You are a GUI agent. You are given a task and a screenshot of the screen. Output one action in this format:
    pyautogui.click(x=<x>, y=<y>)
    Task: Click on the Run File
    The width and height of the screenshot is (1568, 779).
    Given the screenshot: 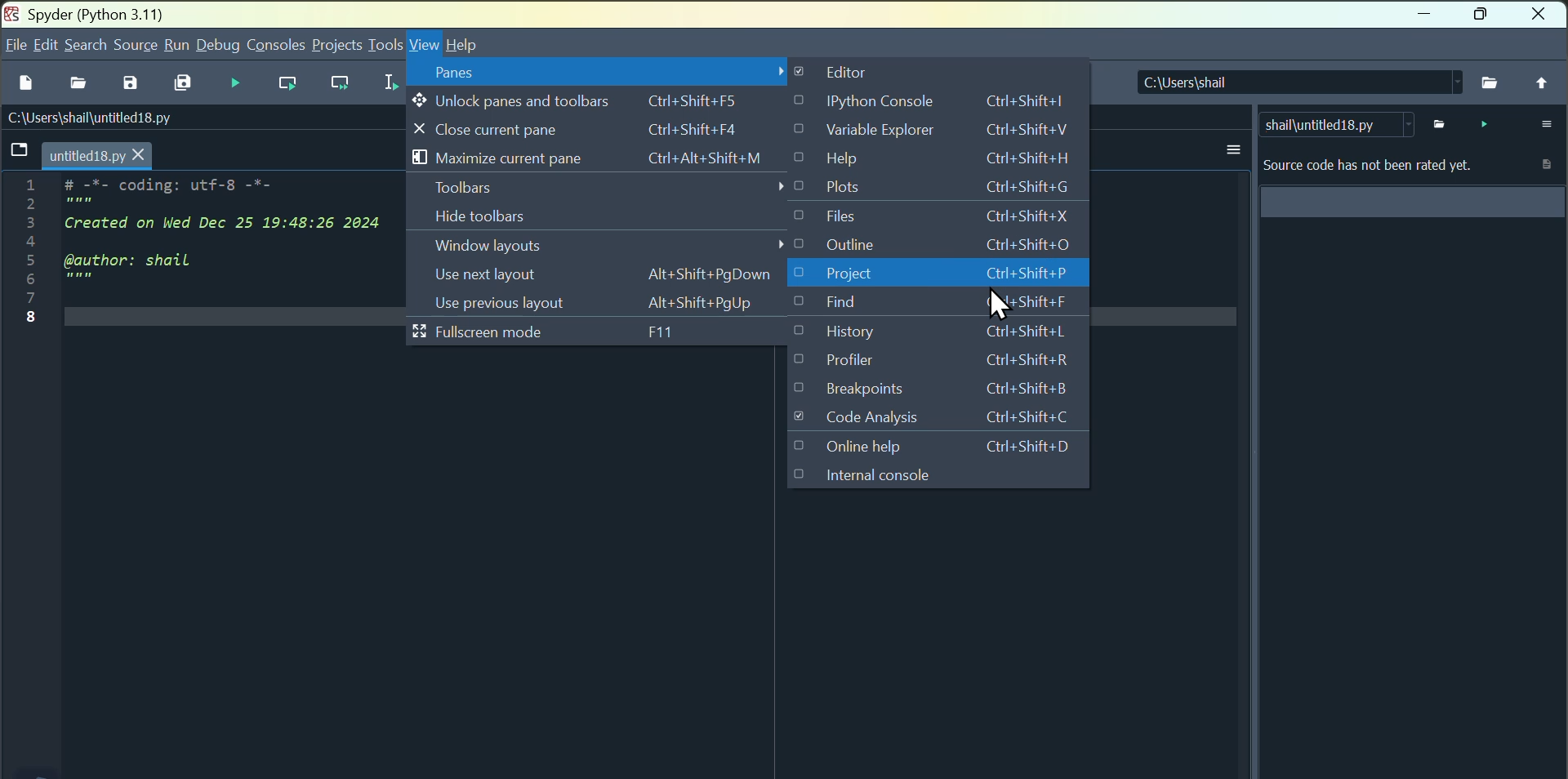 What is the action you would take?
    pyautogui.click(x=293, y=84)
    